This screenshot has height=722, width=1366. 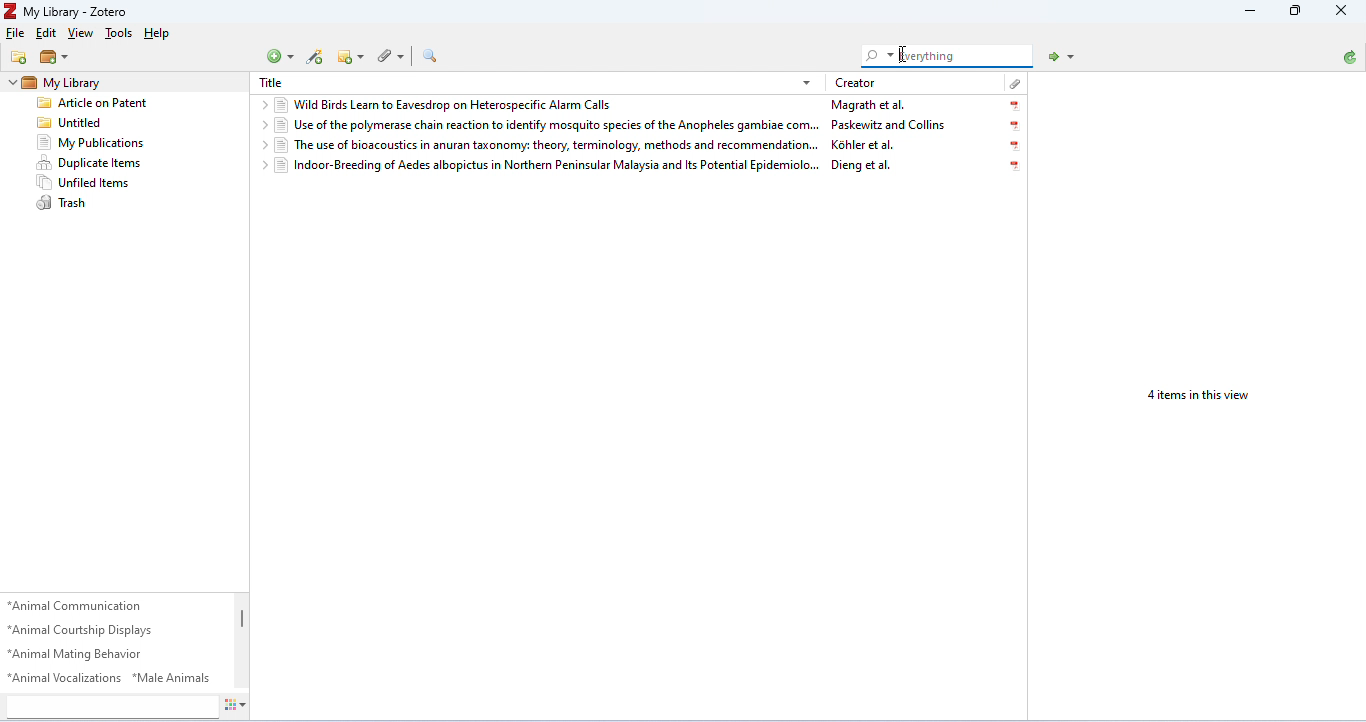 What do you see at coordinates (429, 56) in the screenshot?
I see `Advanced Search` at bounding box center [429, 56].